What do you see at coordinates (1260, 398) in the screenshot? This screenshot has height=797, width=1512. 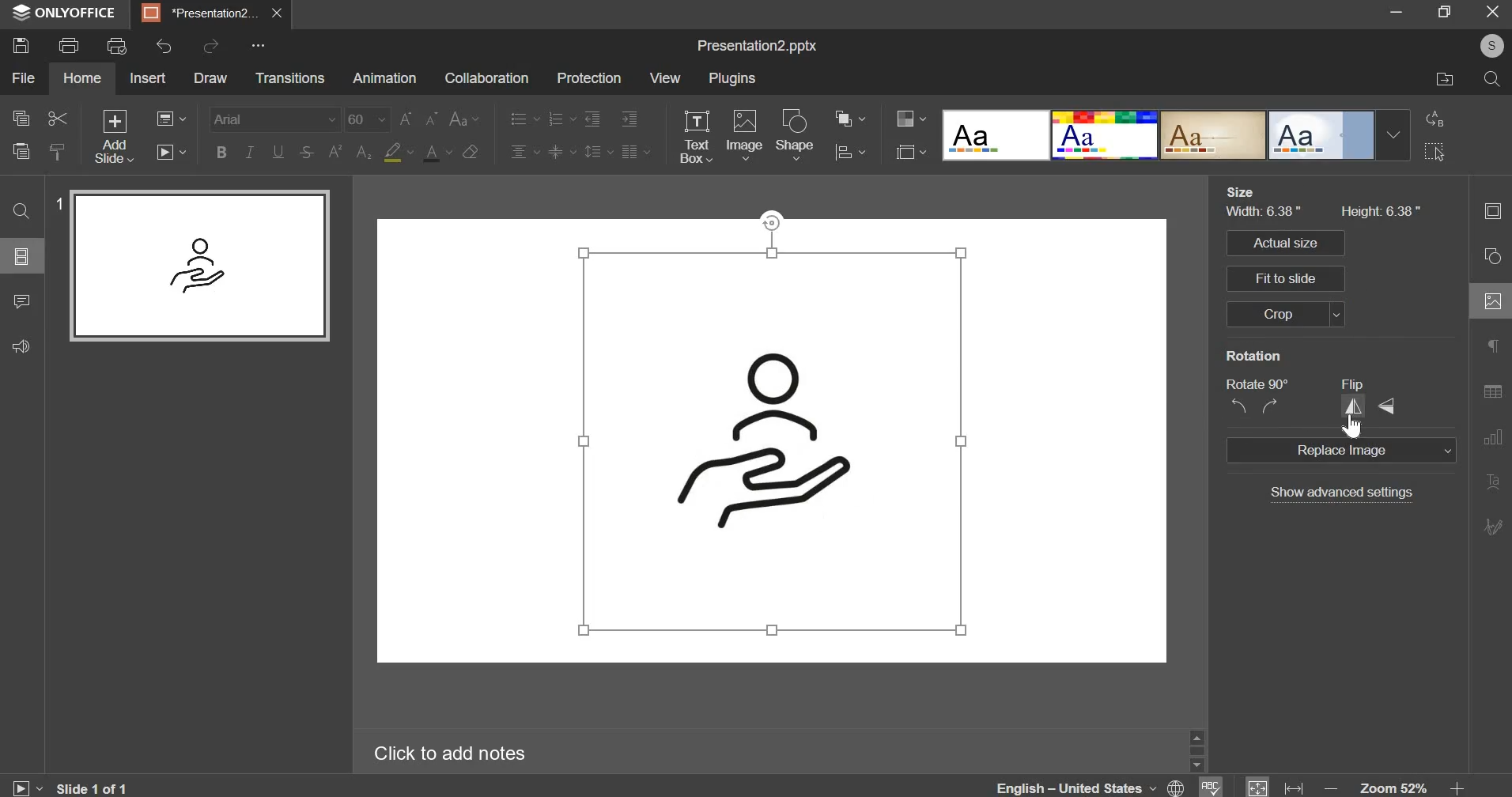 I see `rotate 90` at bounding box center [1260, 398].